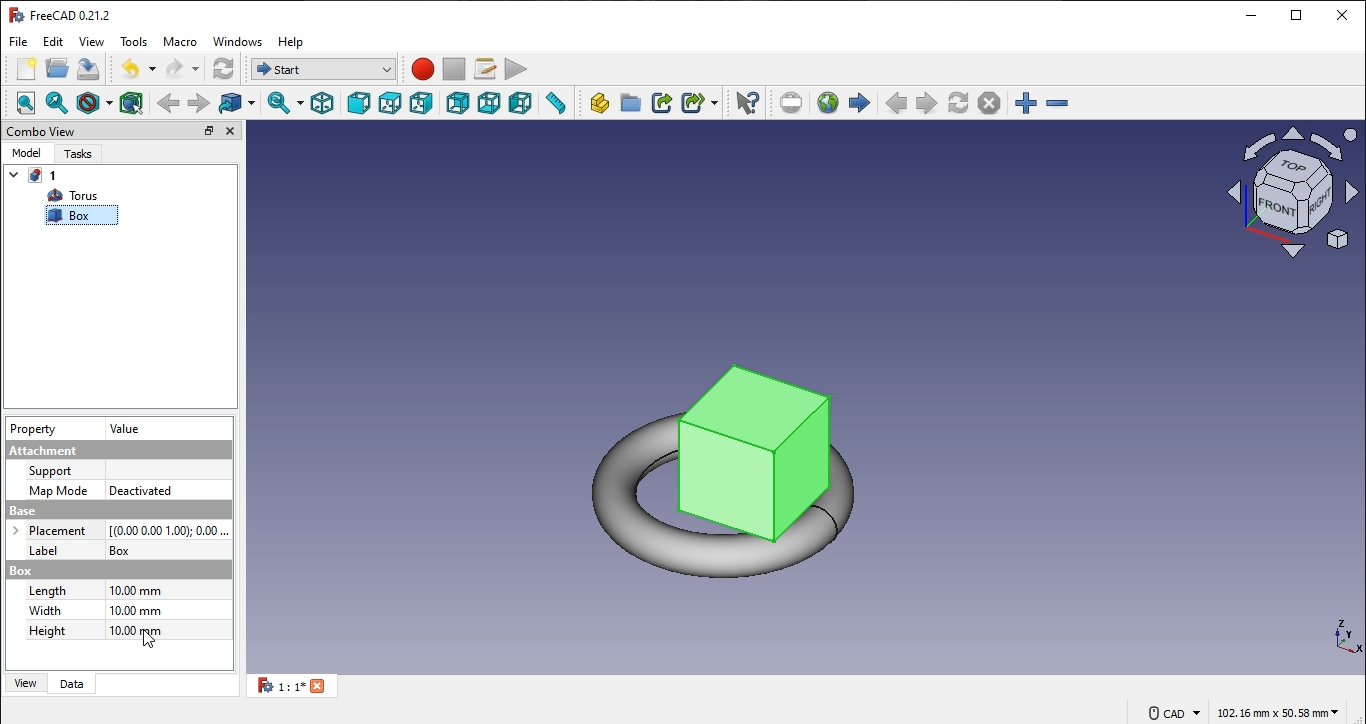 The image size is (1366, 724). Describe the element at coordinates (284, 104) in the screenshot. I see `sync view` at that location.